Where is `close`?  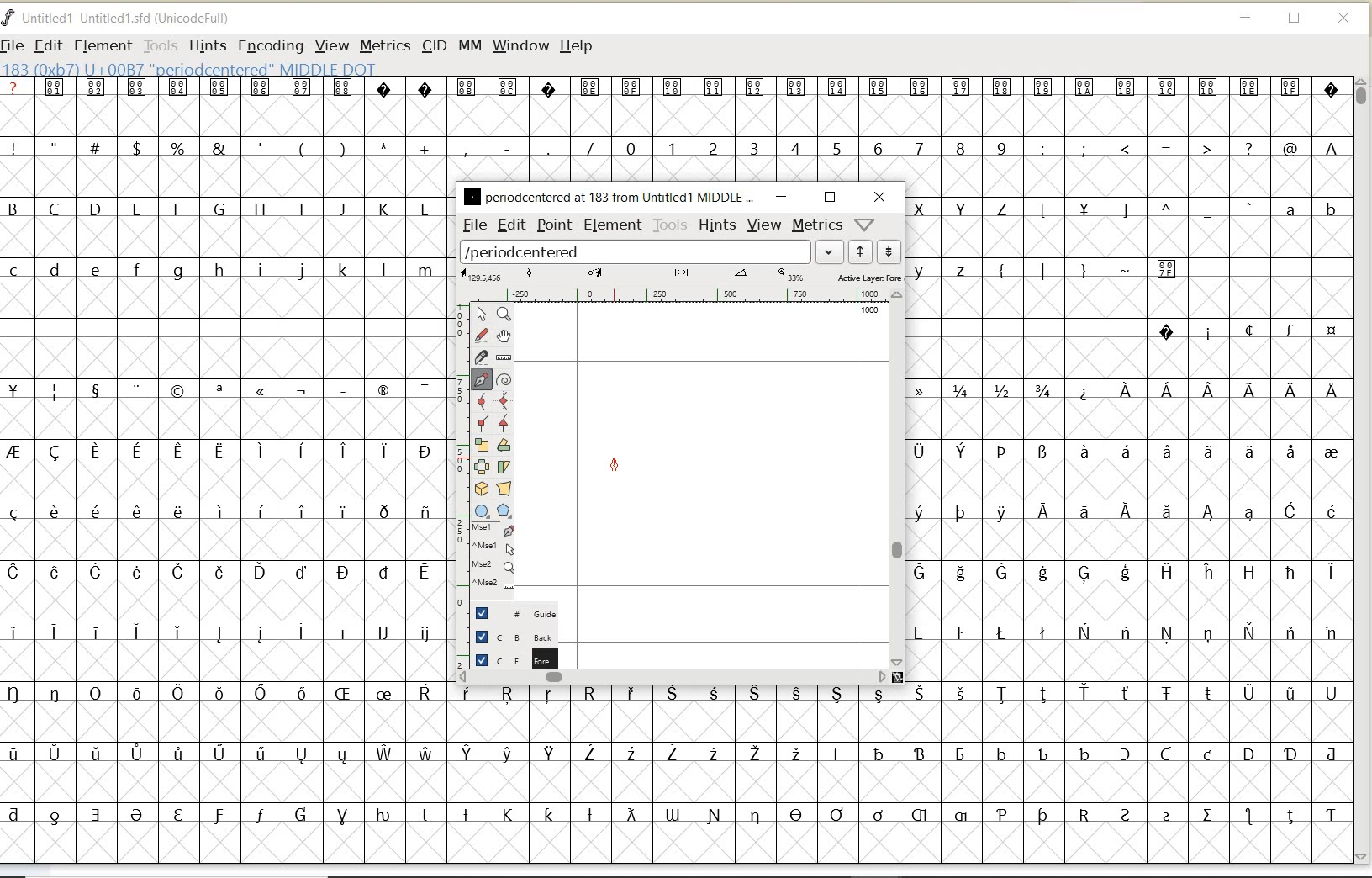
close is located at coordinates (879, 197).